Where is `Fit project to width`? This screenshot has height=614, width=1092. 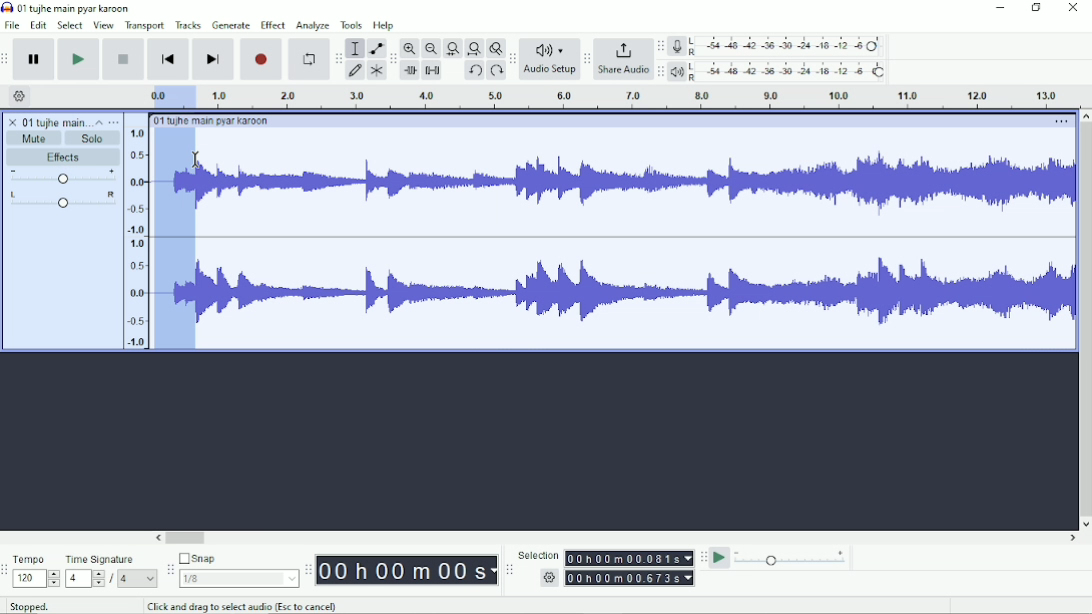 Fit project to width is located at coordinates (475, 49).